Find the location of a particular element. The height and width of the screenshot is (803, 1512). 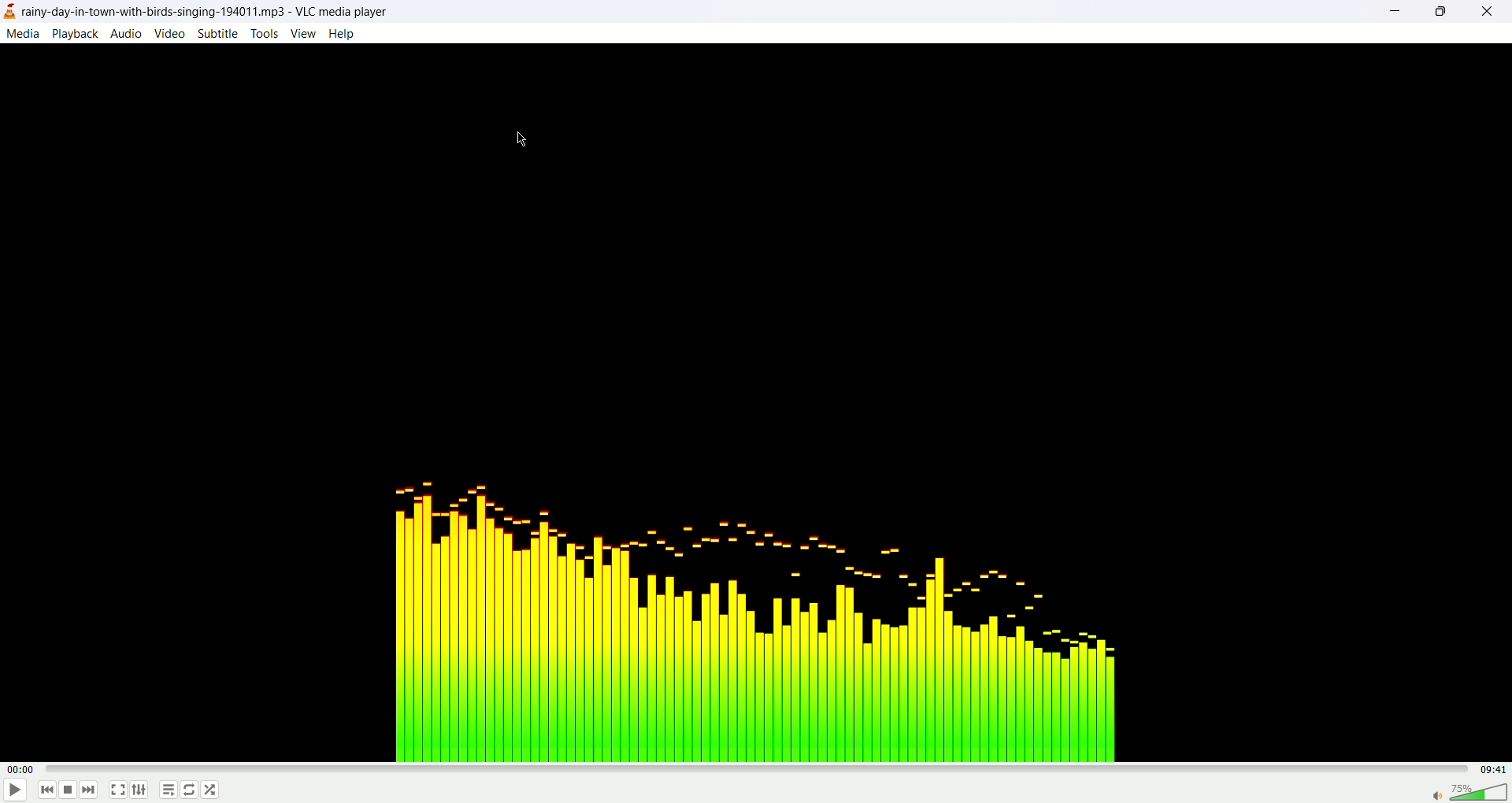

logo is located at coordinates (9, 10).